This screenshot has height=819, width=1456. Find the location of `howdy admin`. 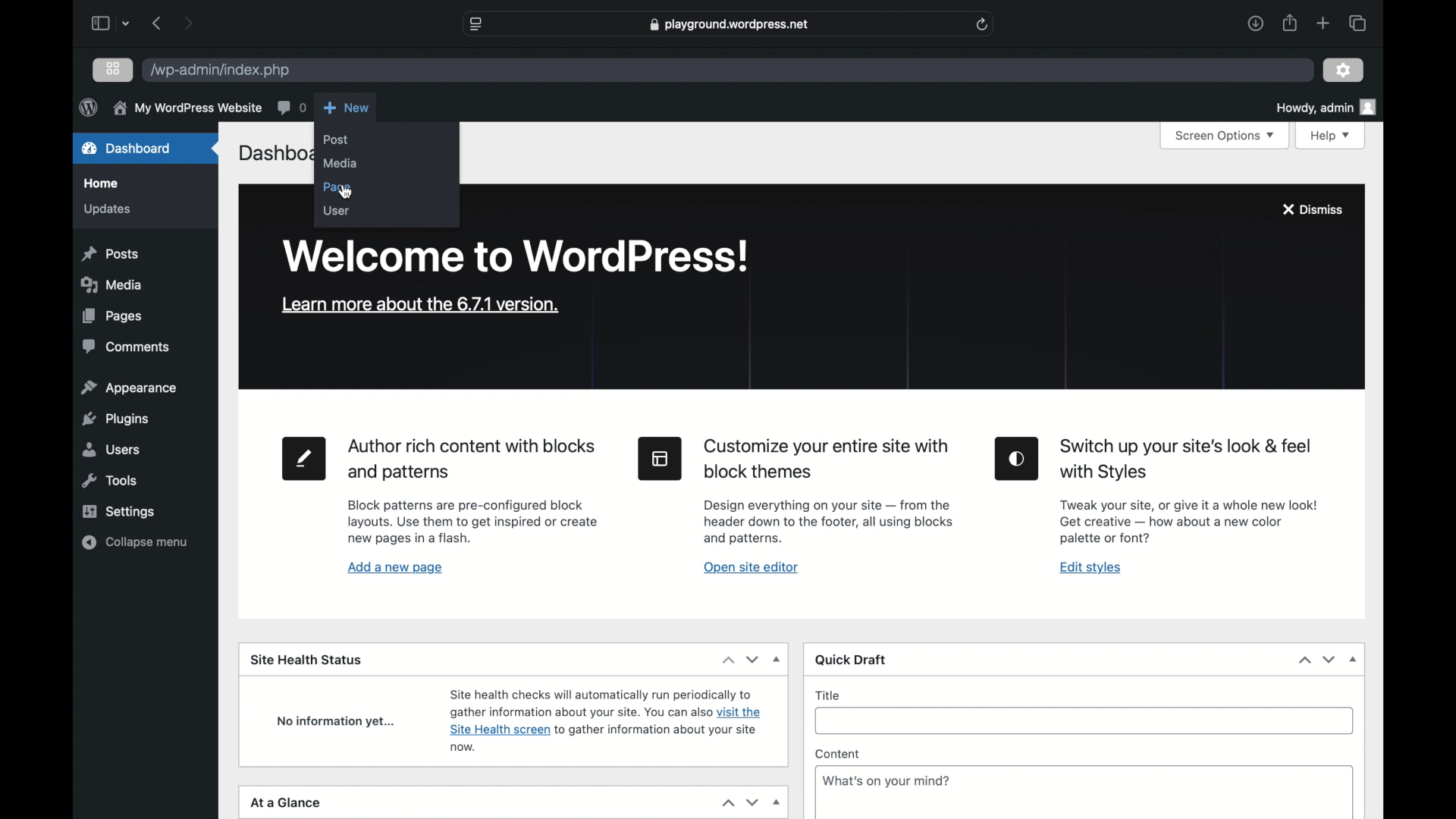

howdy admin is located at coordinates (1327, 108).